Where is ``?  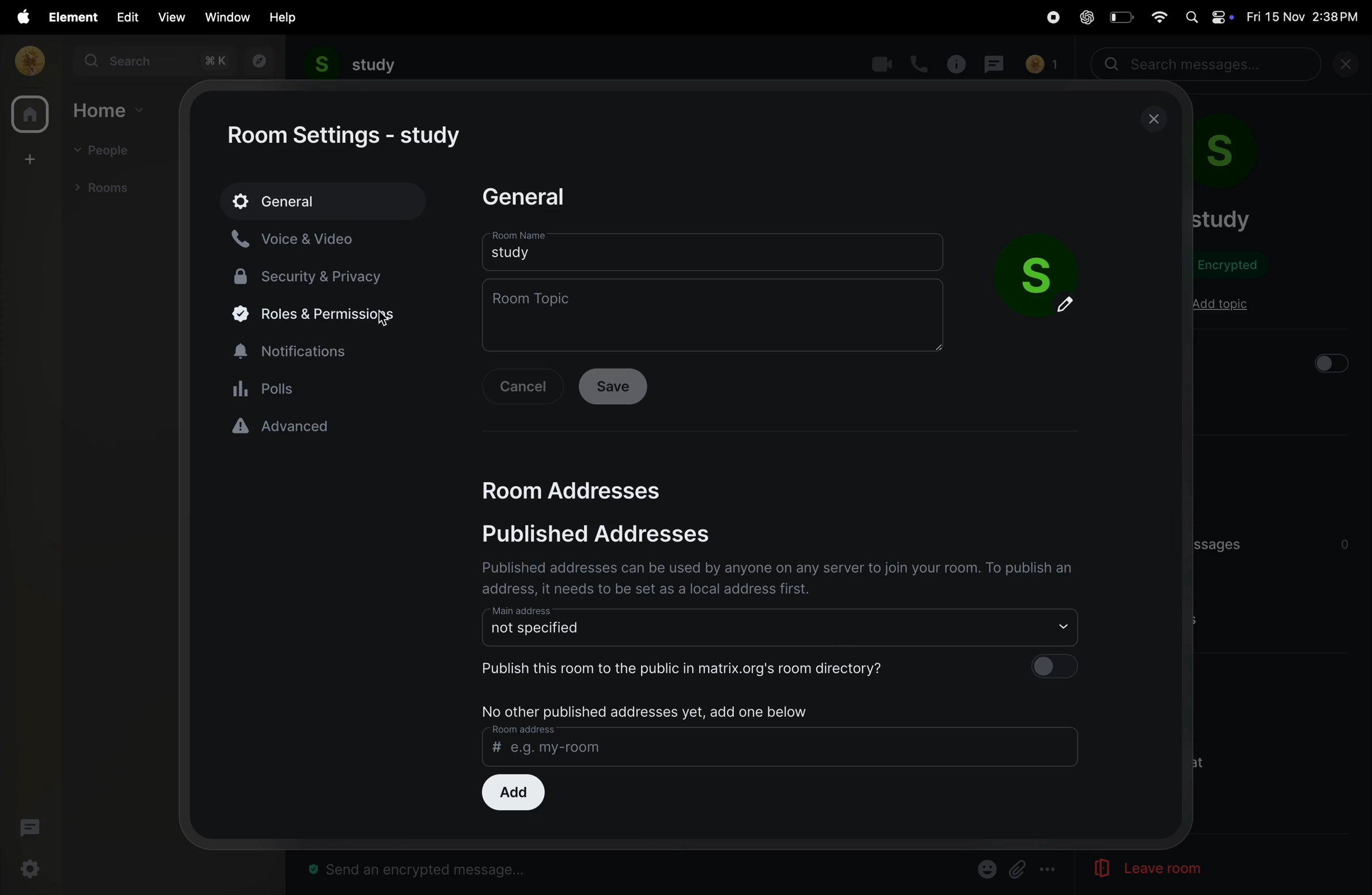  is located at coordinates (1018, 869).